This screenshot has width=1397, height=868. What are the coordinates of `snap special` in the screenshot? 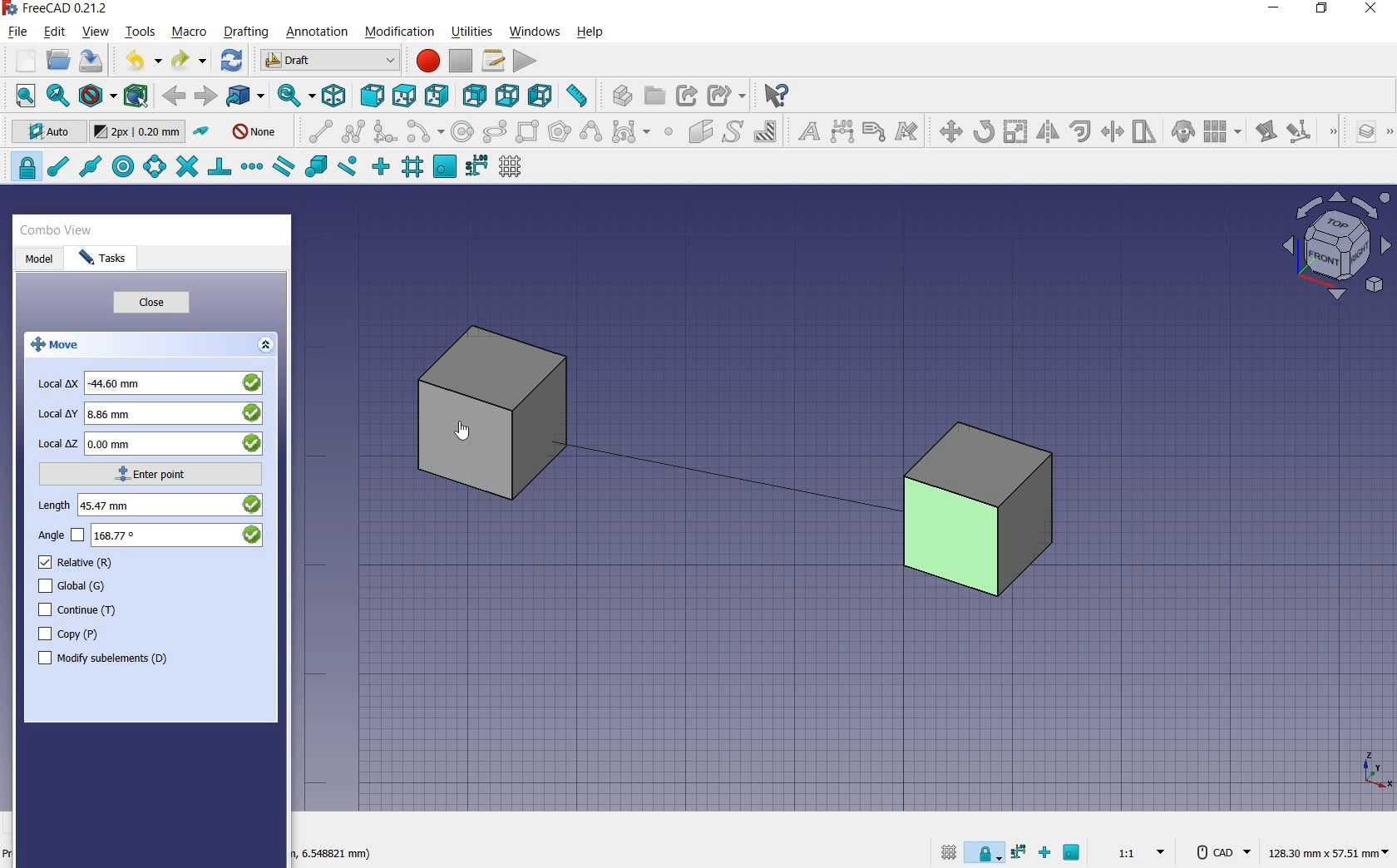 It's located at (316, 166).